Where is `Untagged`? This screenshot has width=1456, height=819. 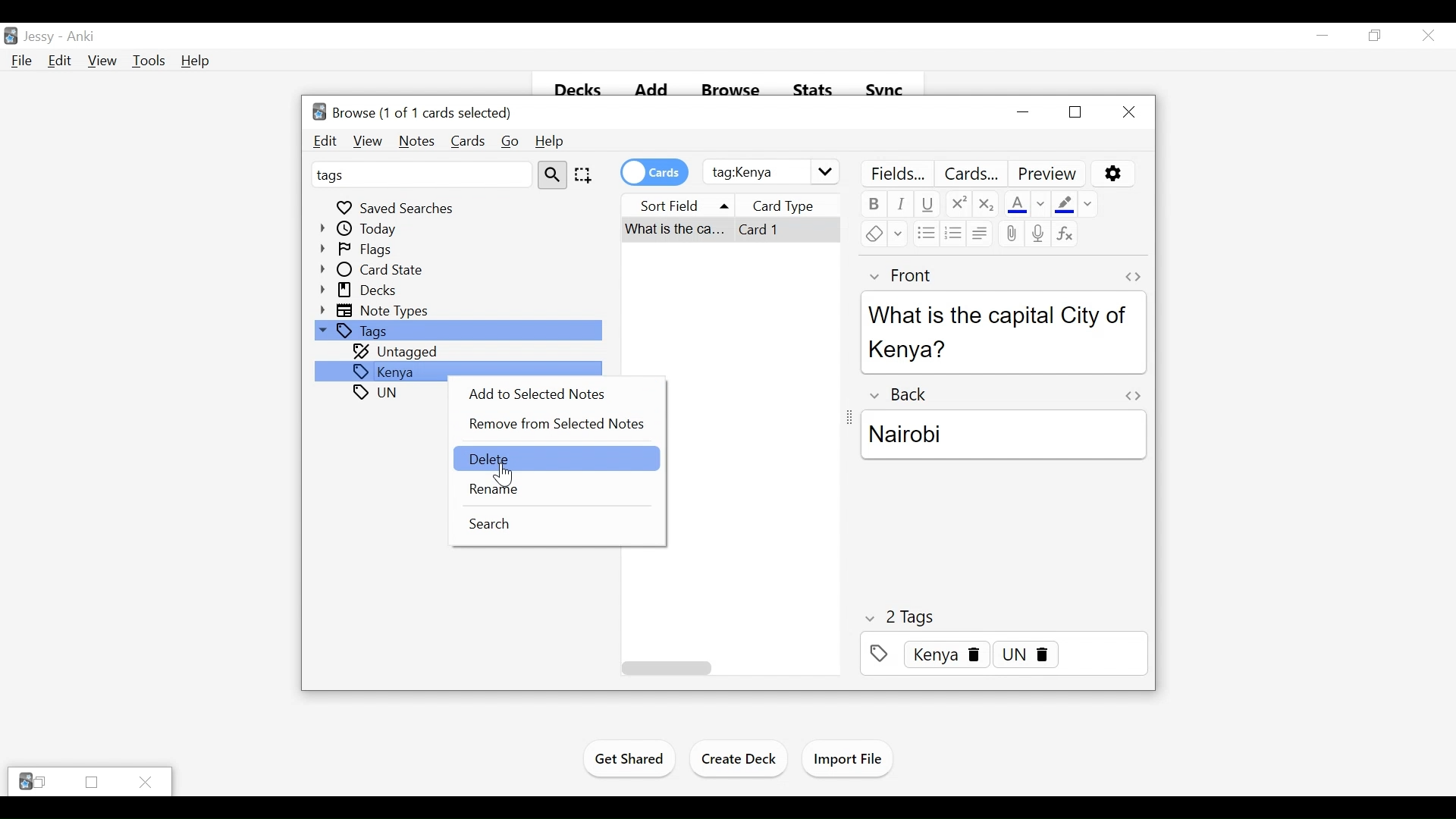
Untagged is located at coordinates (397, 353).